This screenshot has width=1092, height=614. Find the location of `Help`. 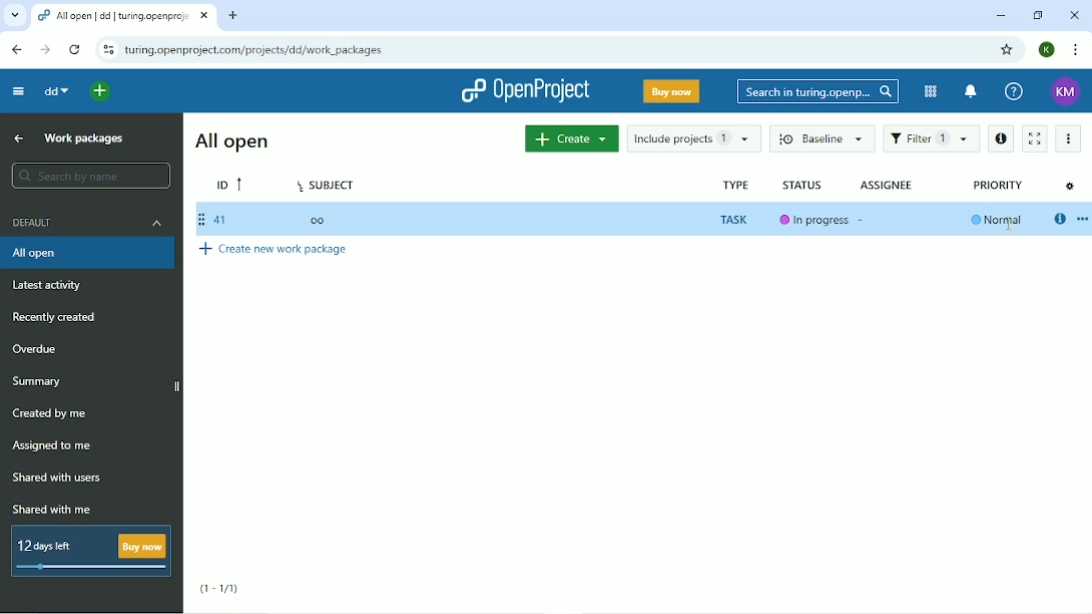

Help is located at coordinates (1013, 91).